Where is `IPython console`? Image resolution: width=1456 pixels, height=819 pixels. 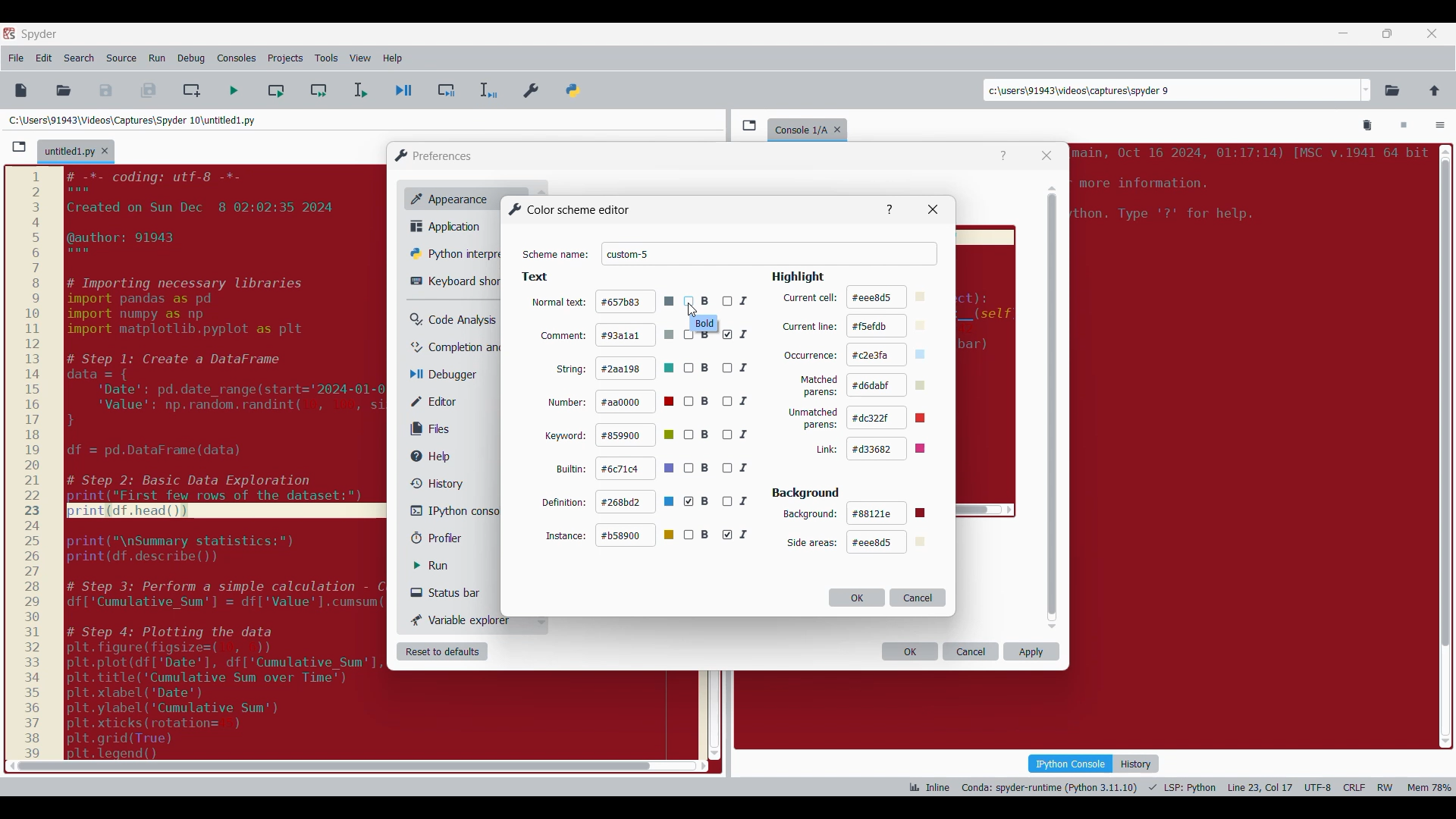
IPython console is located at coordinates (454, 510).